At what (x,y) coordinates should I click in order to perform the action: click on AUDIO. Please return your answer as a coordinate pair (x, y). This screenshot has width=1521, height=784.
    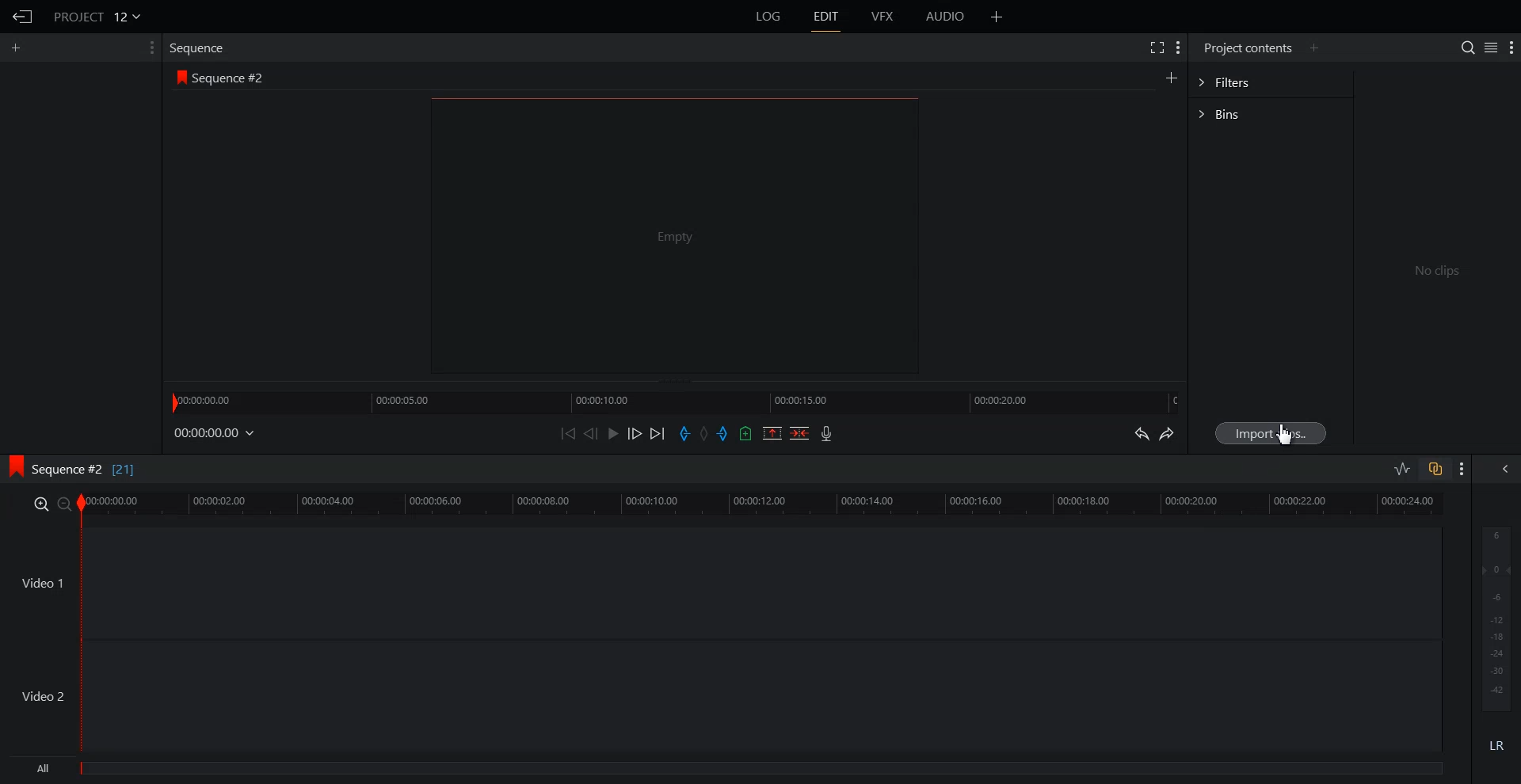
    Looking at the image, I should click on (946, 17).